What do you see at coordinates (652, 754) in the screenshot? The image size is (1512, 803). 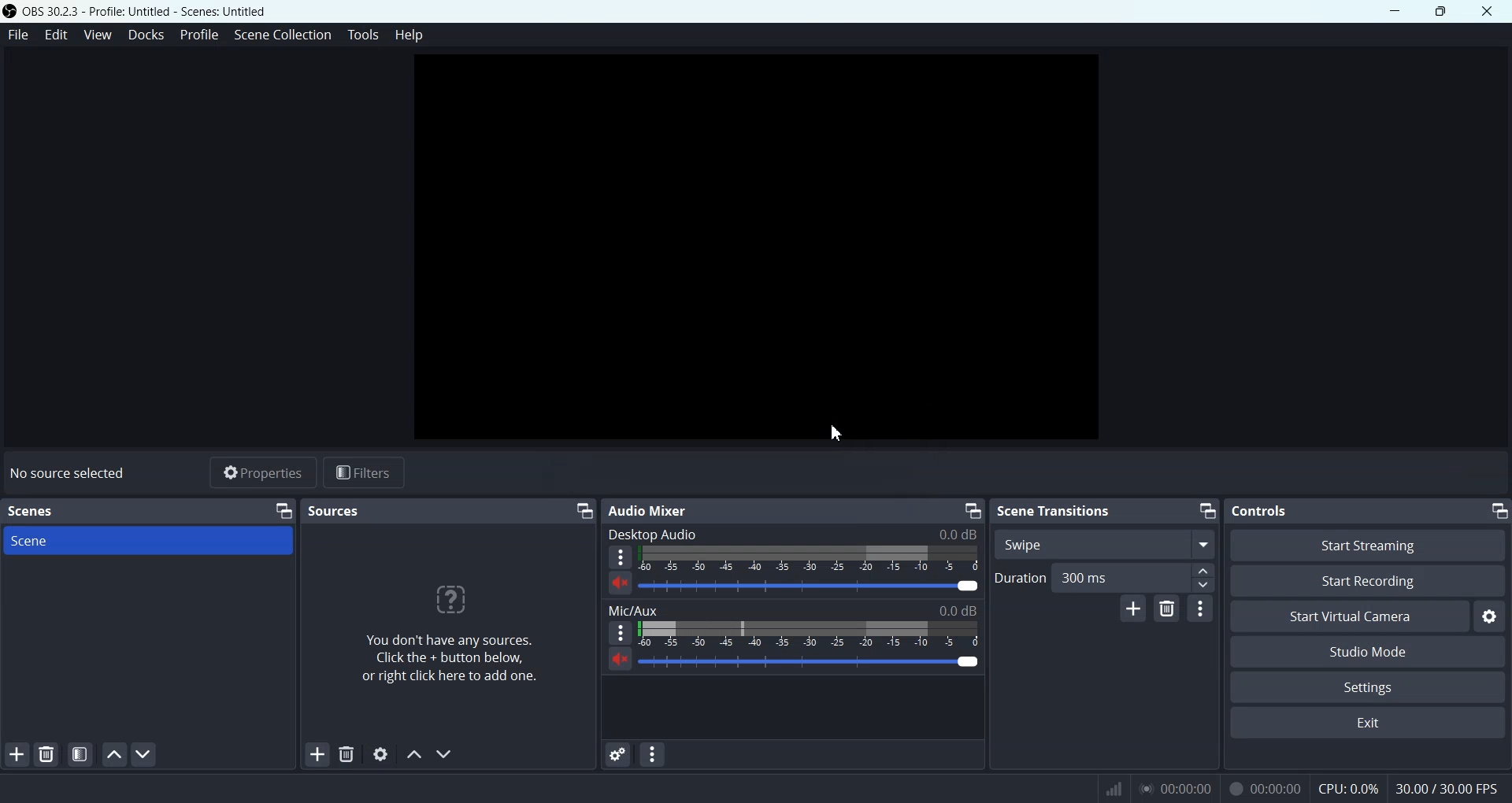 I see `Audio mixer menu` at bounding box center [652, 754].